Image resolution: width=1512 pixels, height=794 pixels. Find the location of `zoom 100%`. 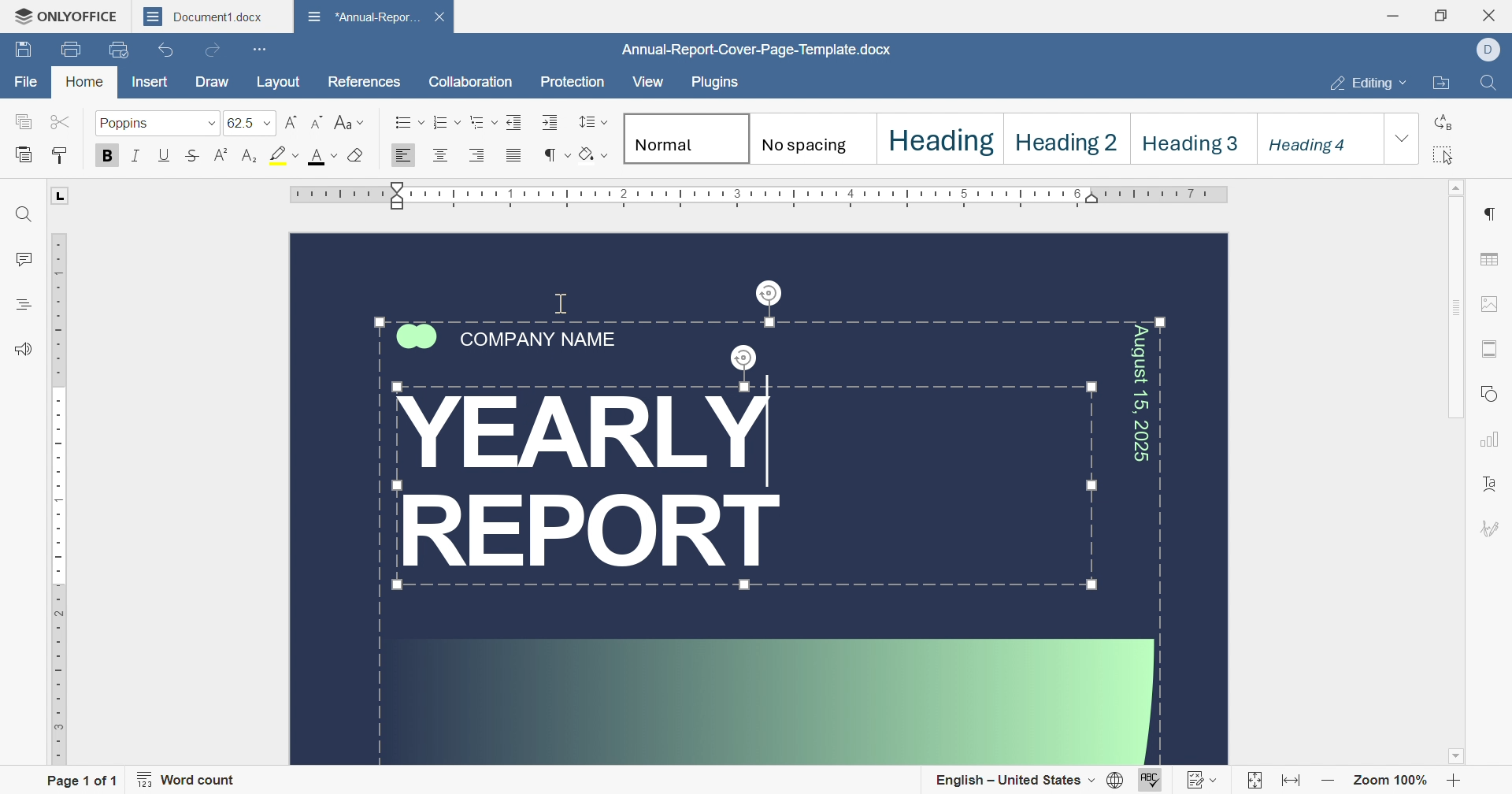

zoom 100% is located at coordinates (1389, 782).